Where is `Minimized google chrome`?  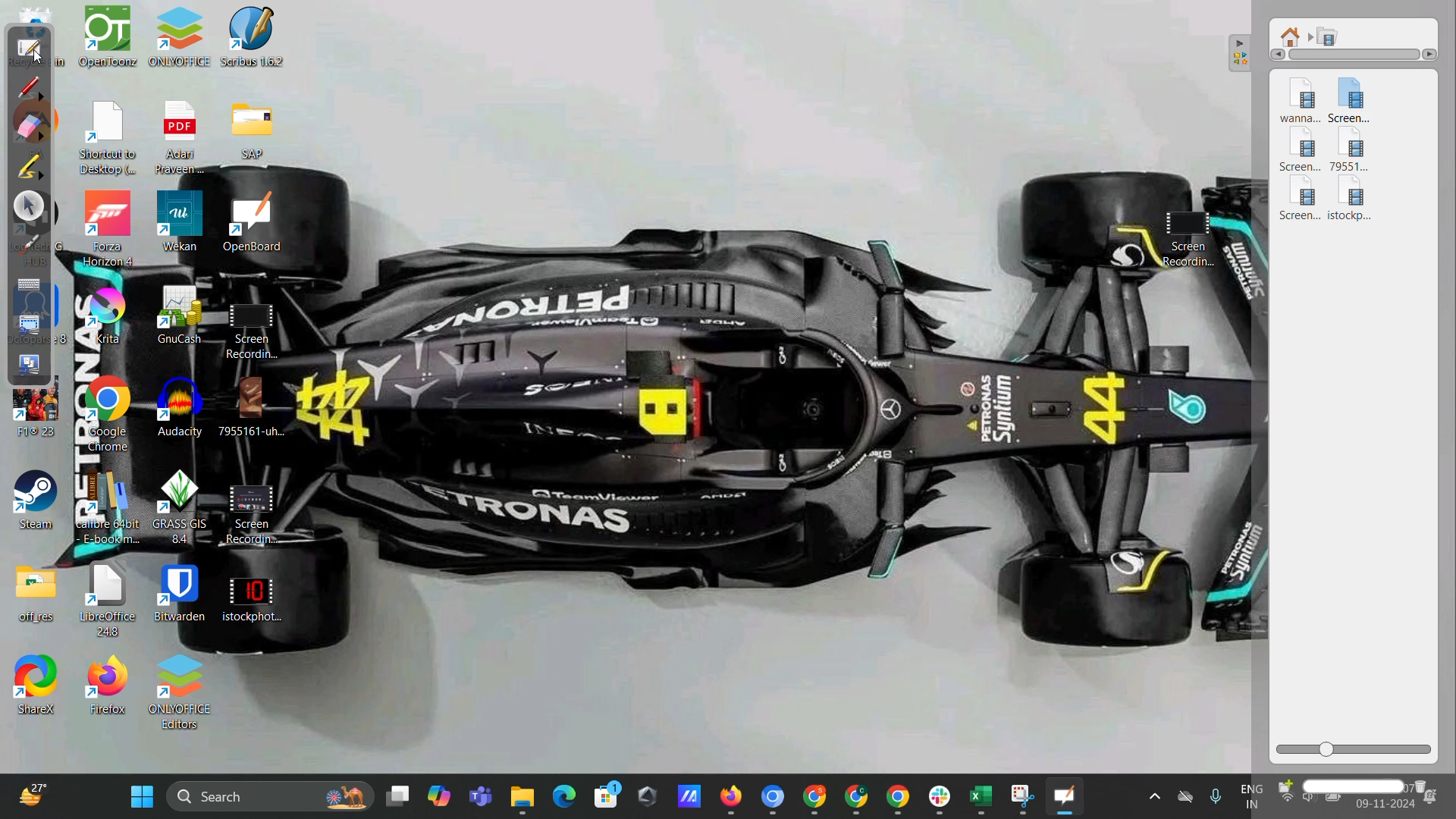
Minimized google chrome is located at coordinates (777, 795).